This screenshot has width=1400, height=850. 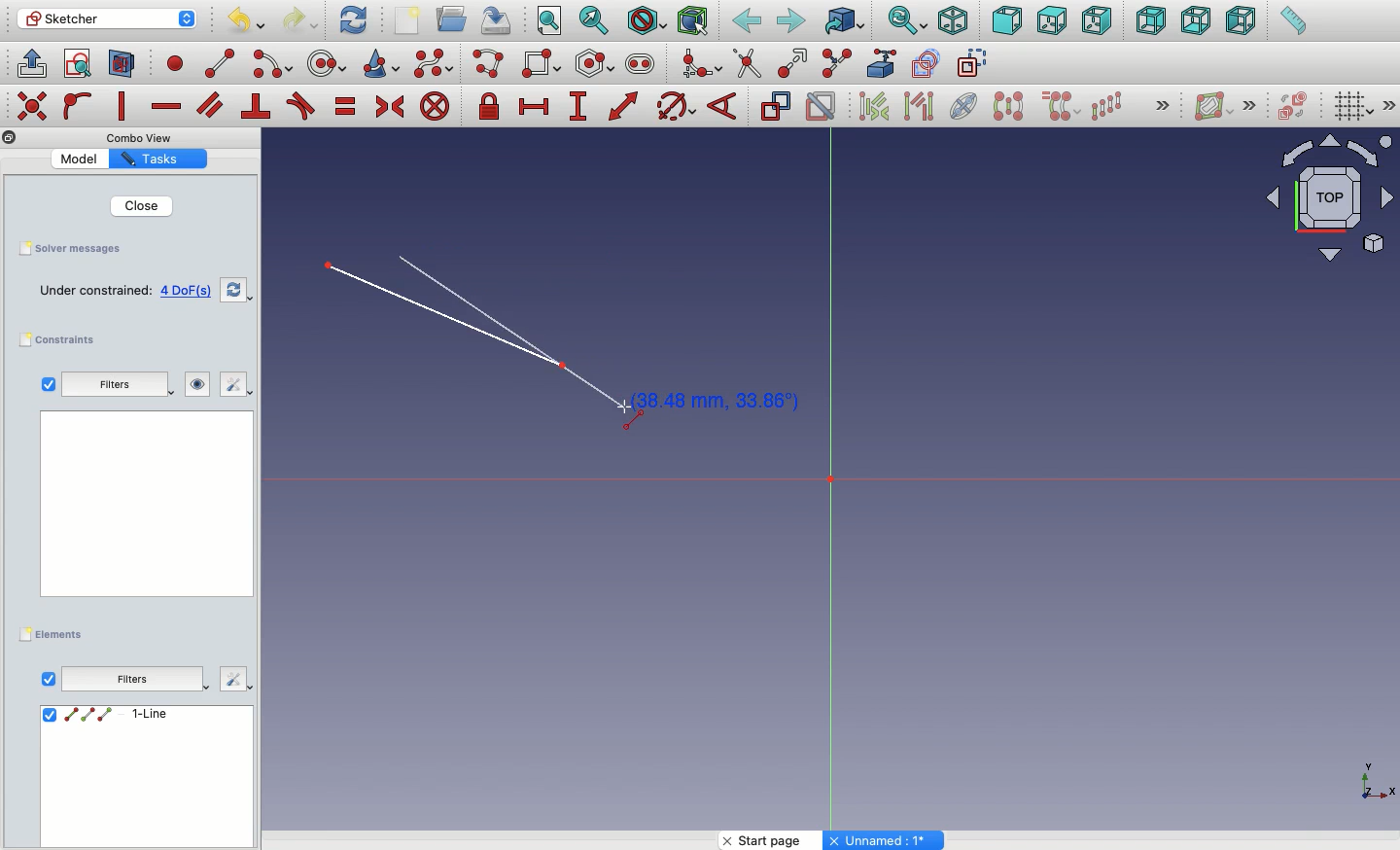 I want to click on Slot, so click(x=641, y=64).